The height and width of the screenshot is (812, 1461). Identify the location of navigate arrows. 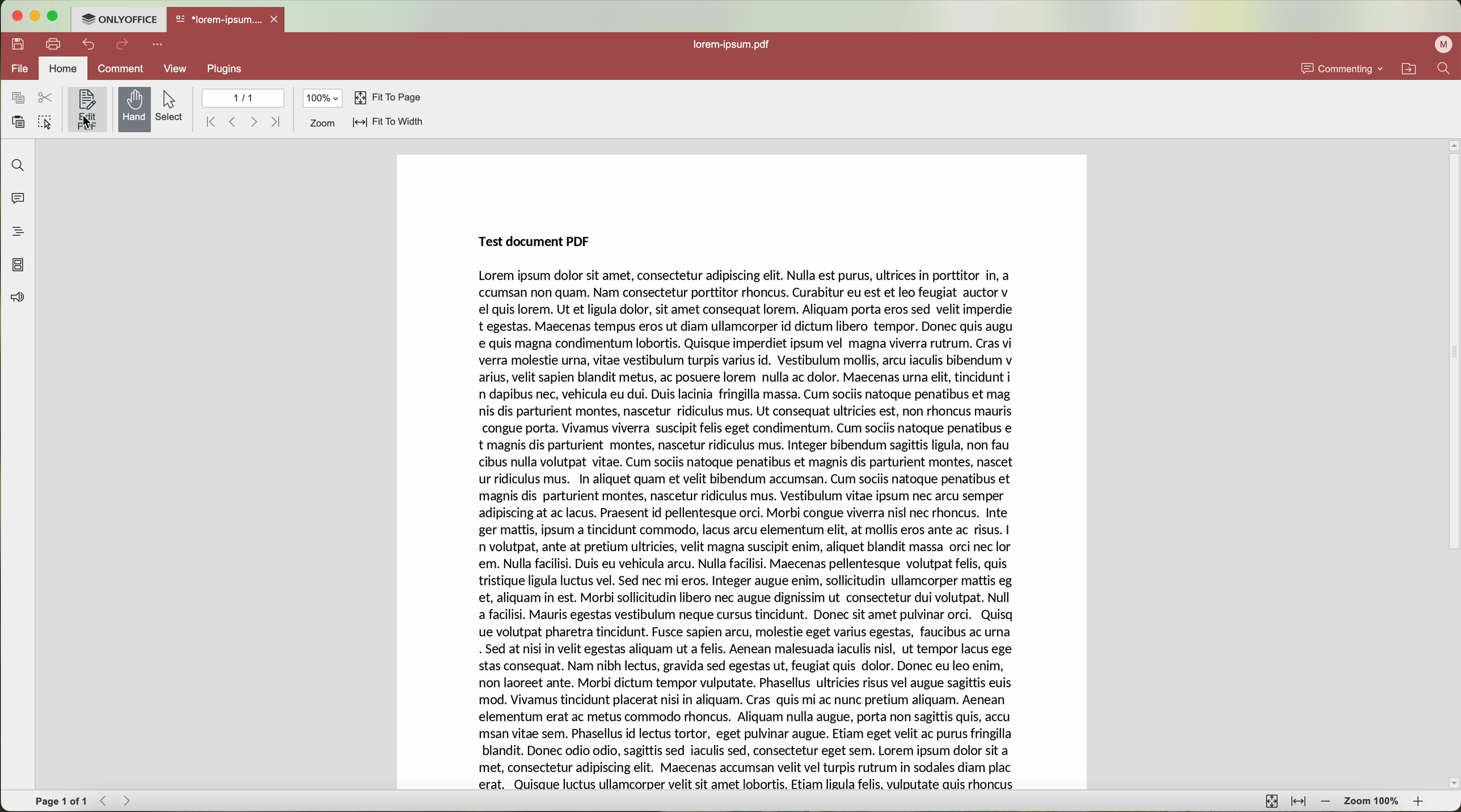
(118, 801).